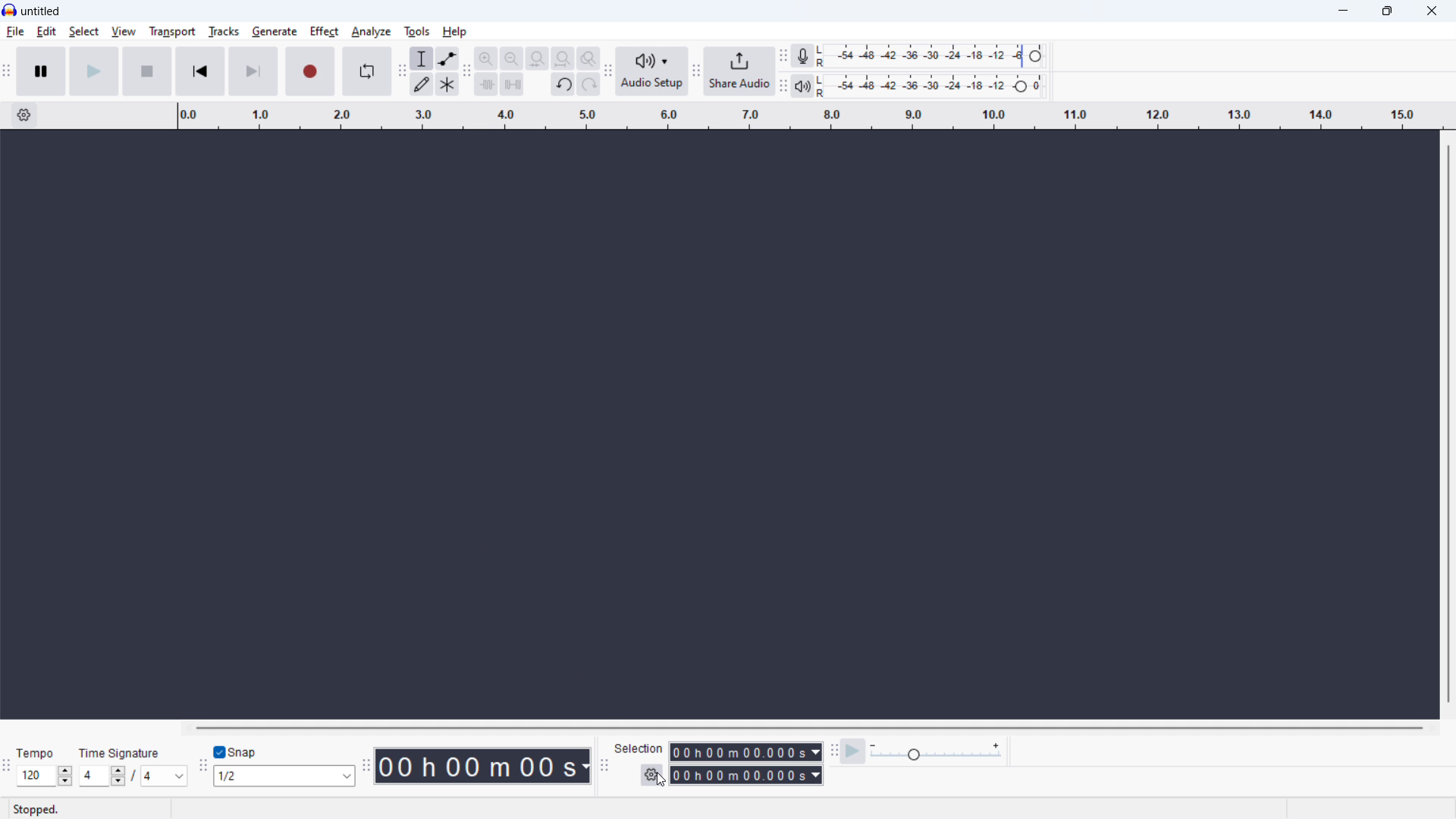  What do you see at coordinates (6, 73) in the screenshot?
I see `transport toolbar` at bounding box center [6, 73].